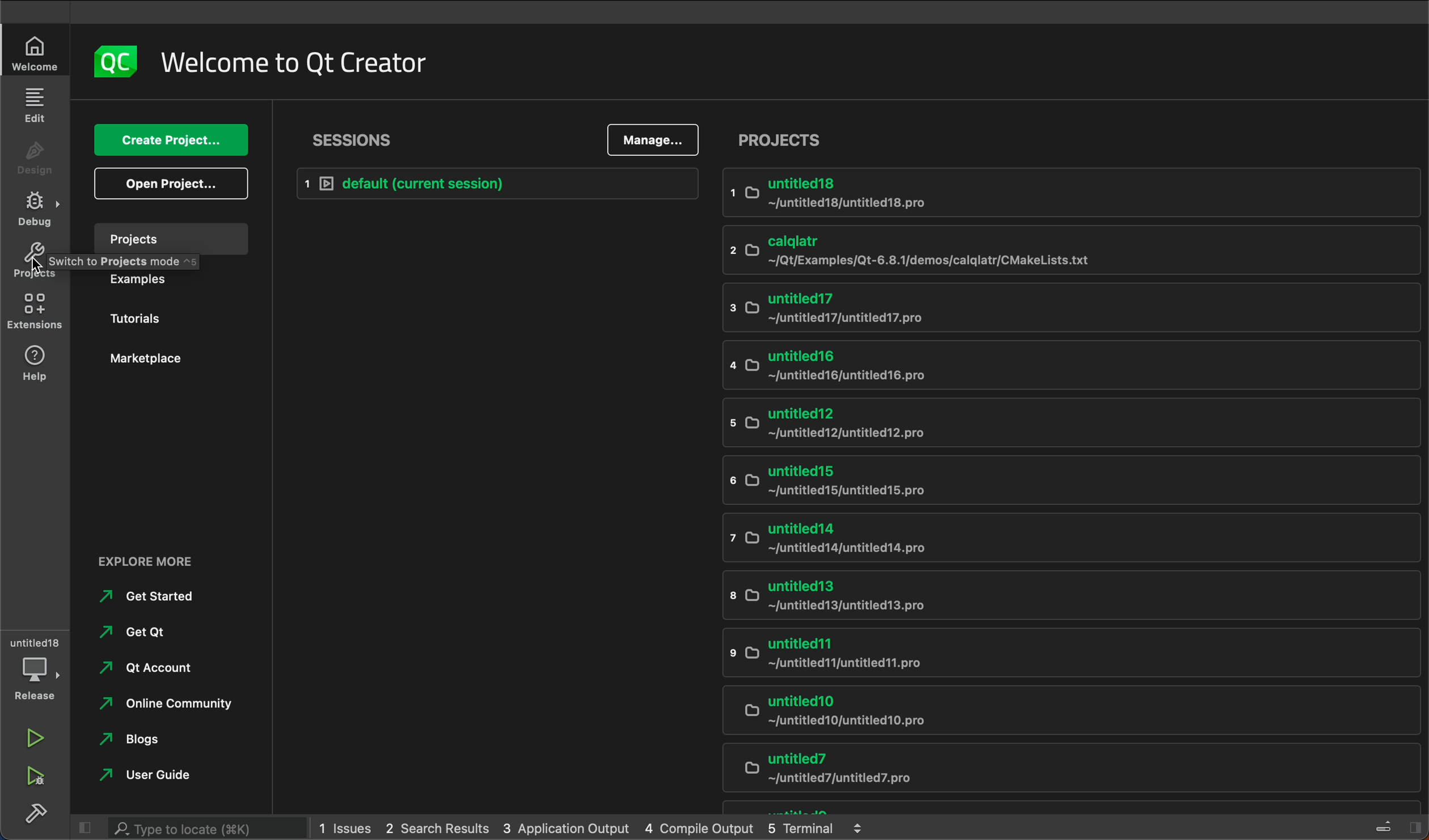 This screenshot has width=1429, height=840. I want to click on open project..., so click(169, 184).